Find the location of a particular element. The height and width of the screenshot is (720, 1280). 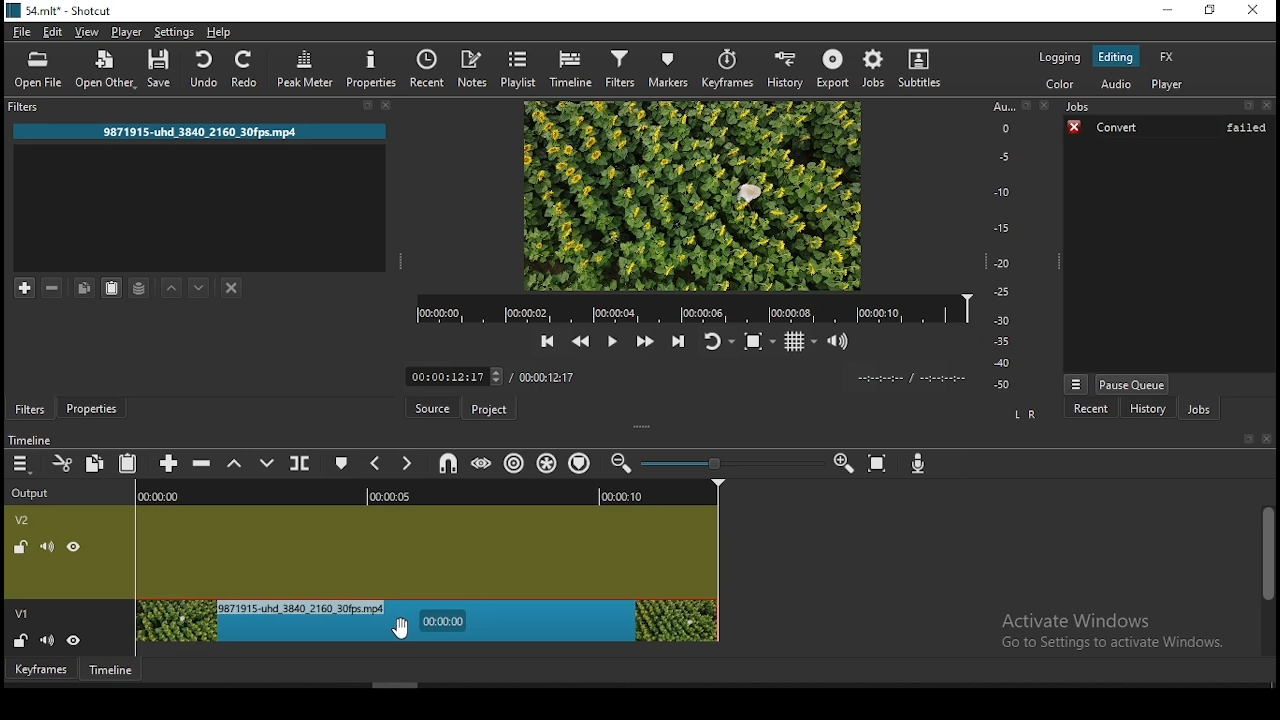

lift is located at coordinates (234, 466).